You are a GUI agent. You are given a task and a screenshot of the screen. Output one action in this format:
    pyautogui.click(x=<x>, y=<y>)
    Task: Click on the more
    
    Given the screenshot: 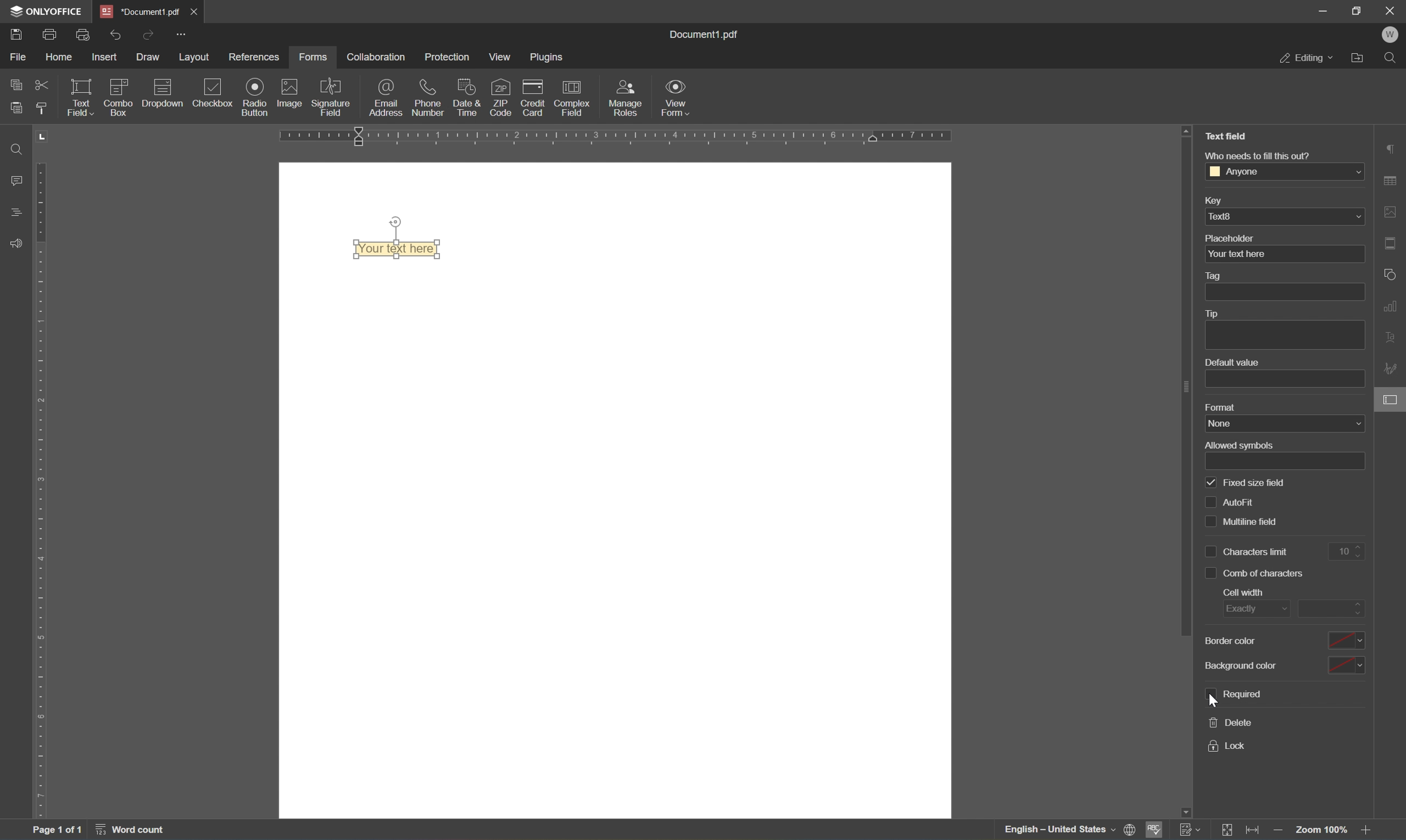 What is the action you would take?
    pyautogui.click(x=183, y=35)
    